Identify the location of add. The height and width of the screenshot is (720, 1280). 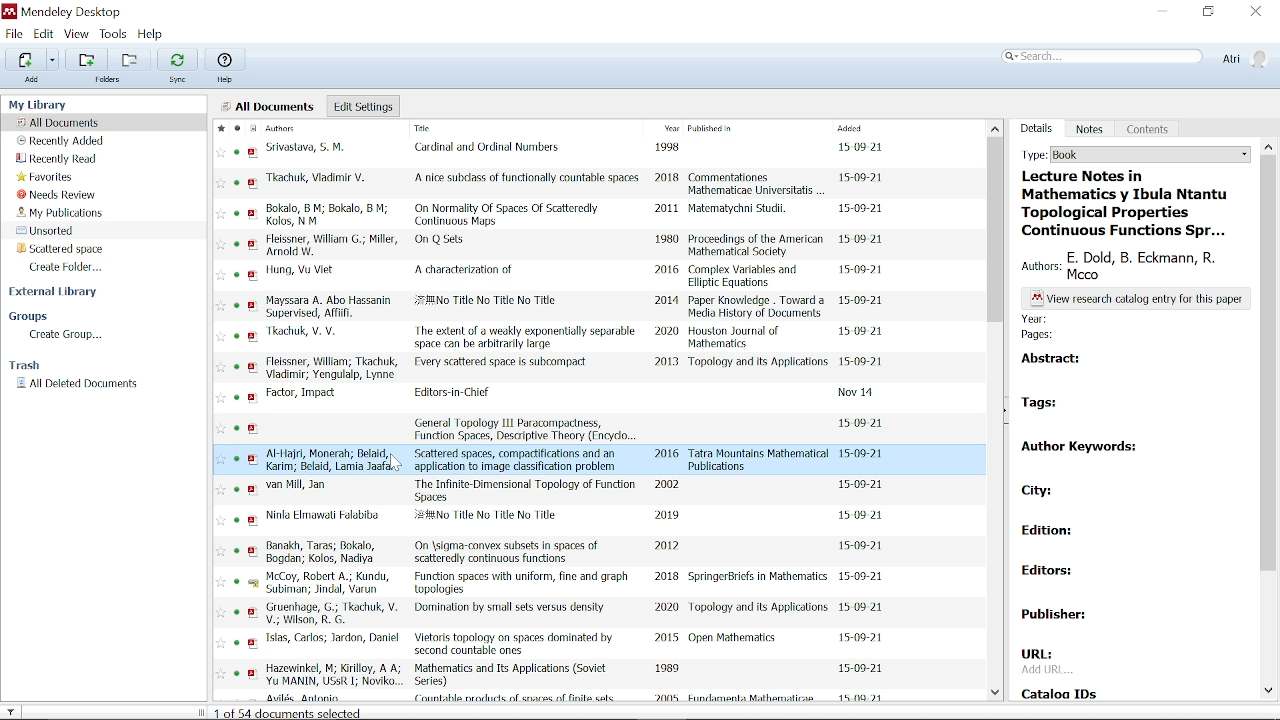
(32, 80).